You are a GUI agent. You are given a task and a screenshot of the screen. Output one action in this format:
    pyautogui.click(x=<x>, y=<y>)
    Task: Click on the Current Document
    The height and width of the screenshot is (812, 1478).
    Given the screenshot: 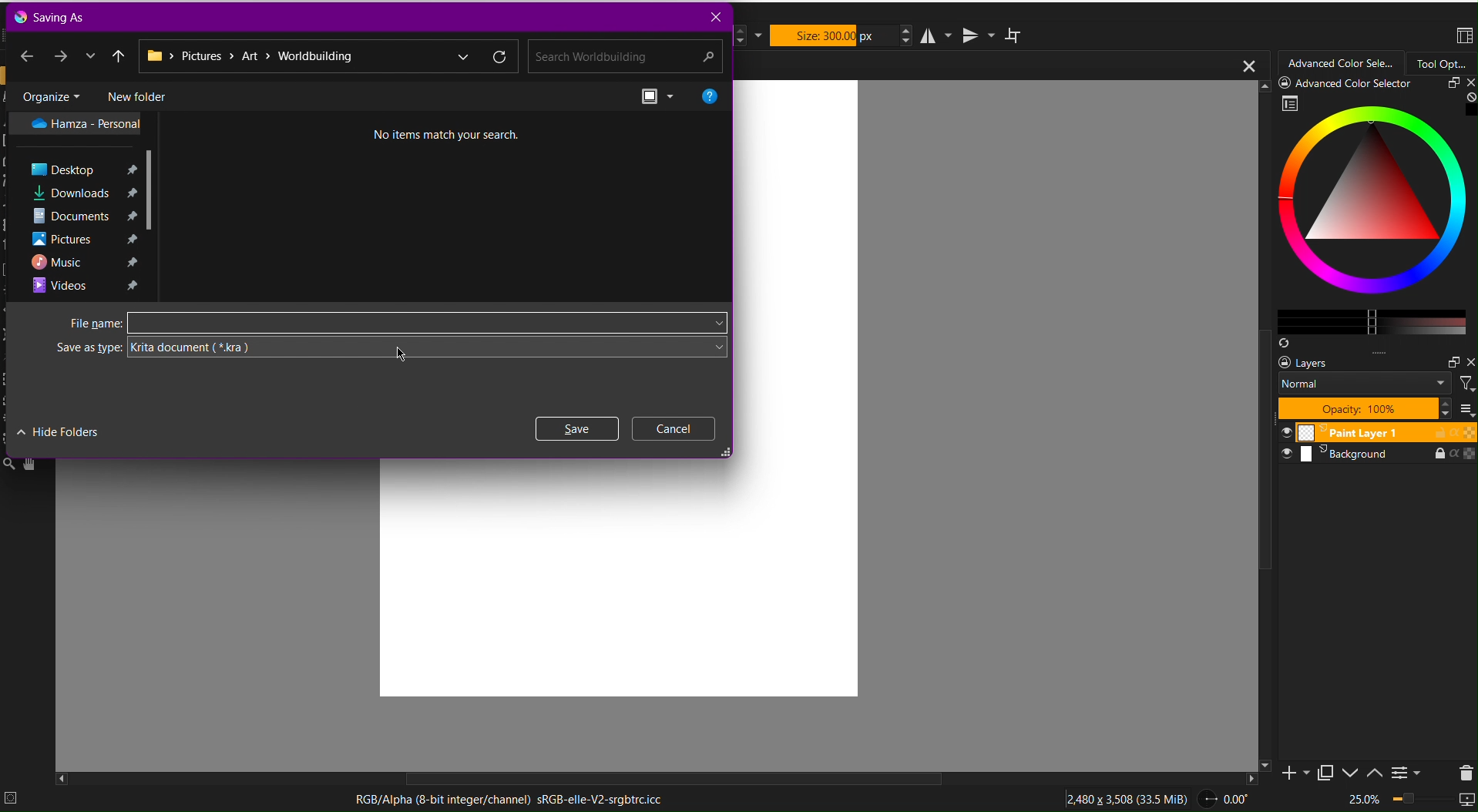 What is the action you would take?
    pyautogui.click(x=998, y=65)
    